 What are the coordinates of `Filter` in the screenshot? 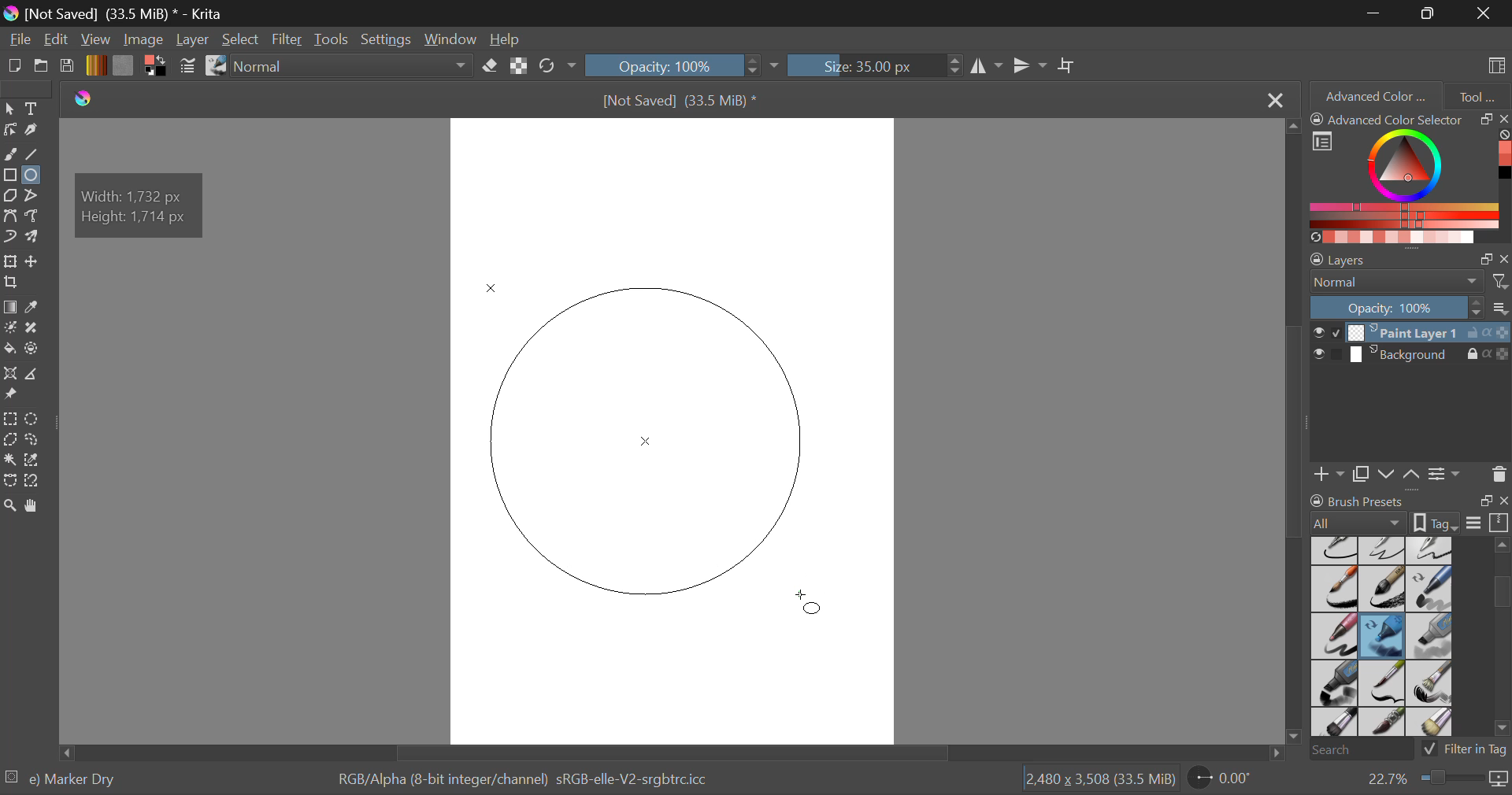 It's located at (289, 40).